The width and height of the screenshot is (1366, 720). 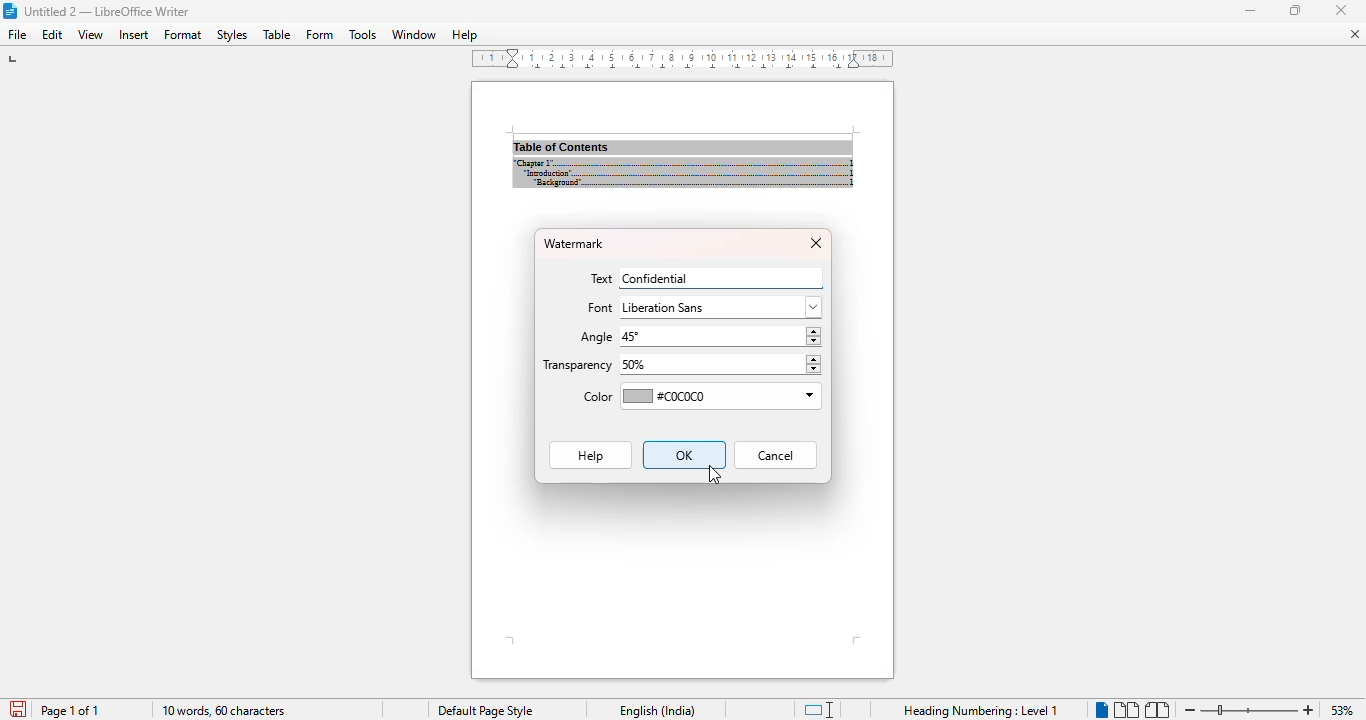 I want to click on standard selection, so click(x=816, y=709).